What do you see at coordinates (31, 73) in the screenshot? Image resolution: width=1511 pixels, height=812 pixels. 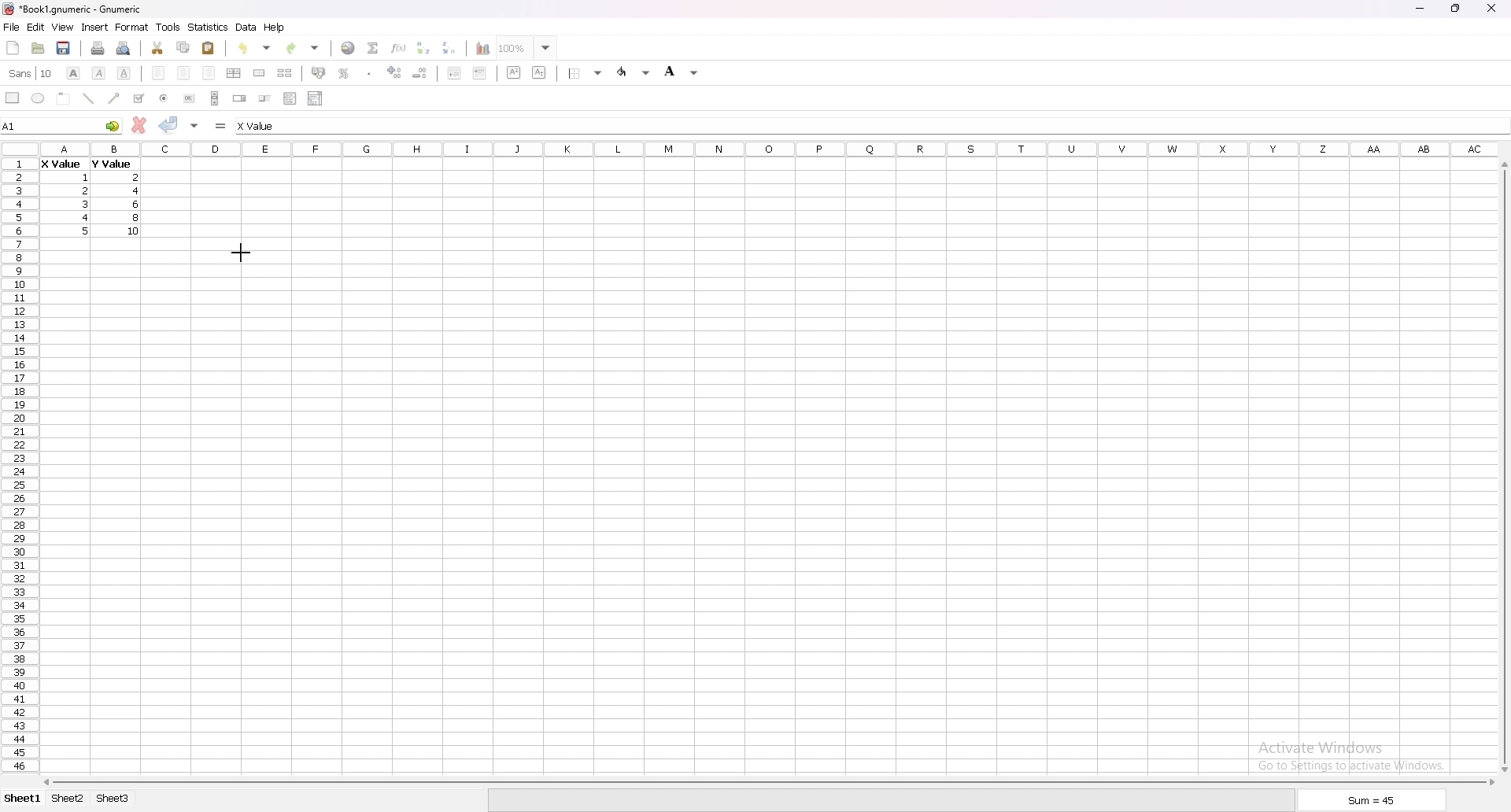 I see `font` at bounding box center [31, 73].